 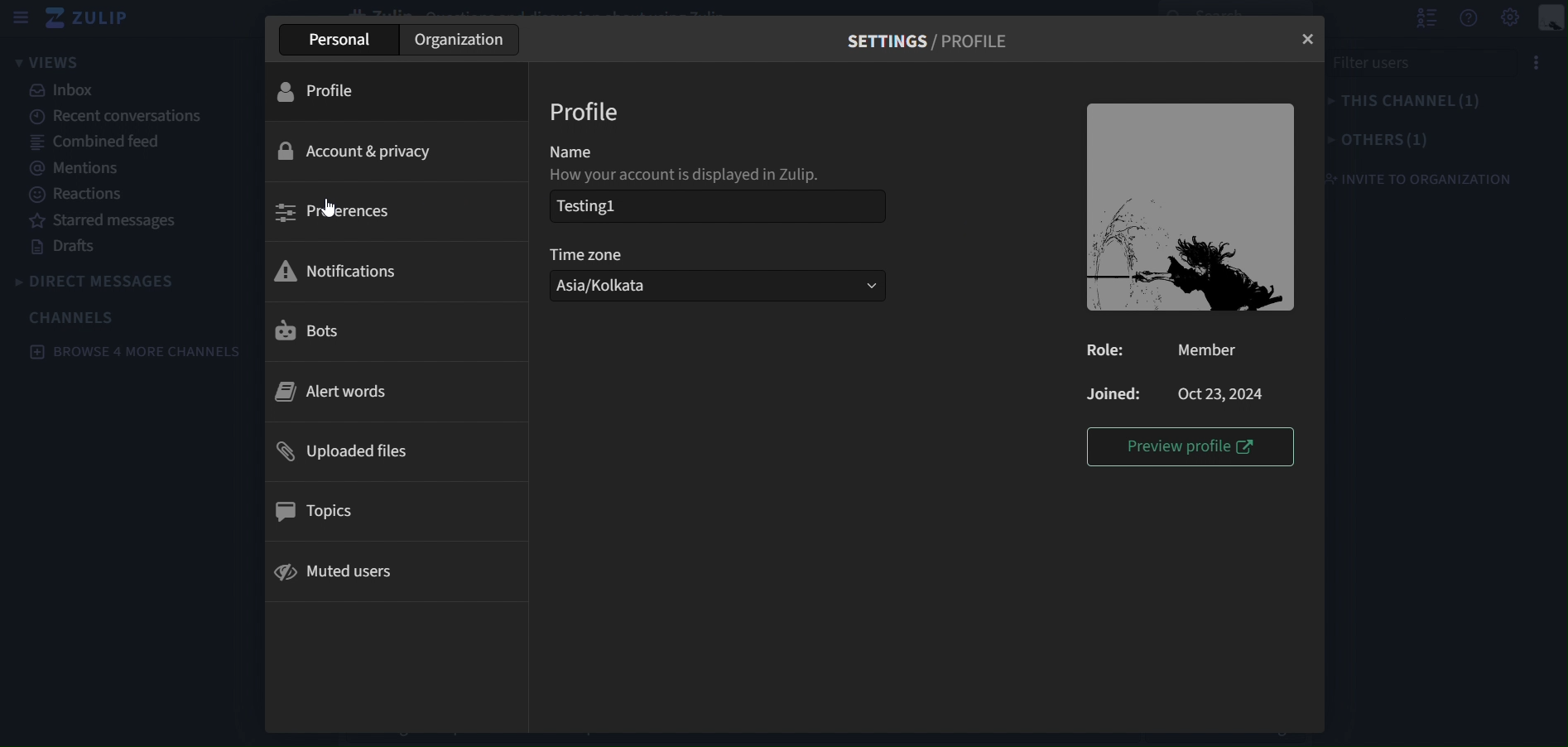 I want to click on How your account is displayed in Zulip, so click(x=685, y=175).